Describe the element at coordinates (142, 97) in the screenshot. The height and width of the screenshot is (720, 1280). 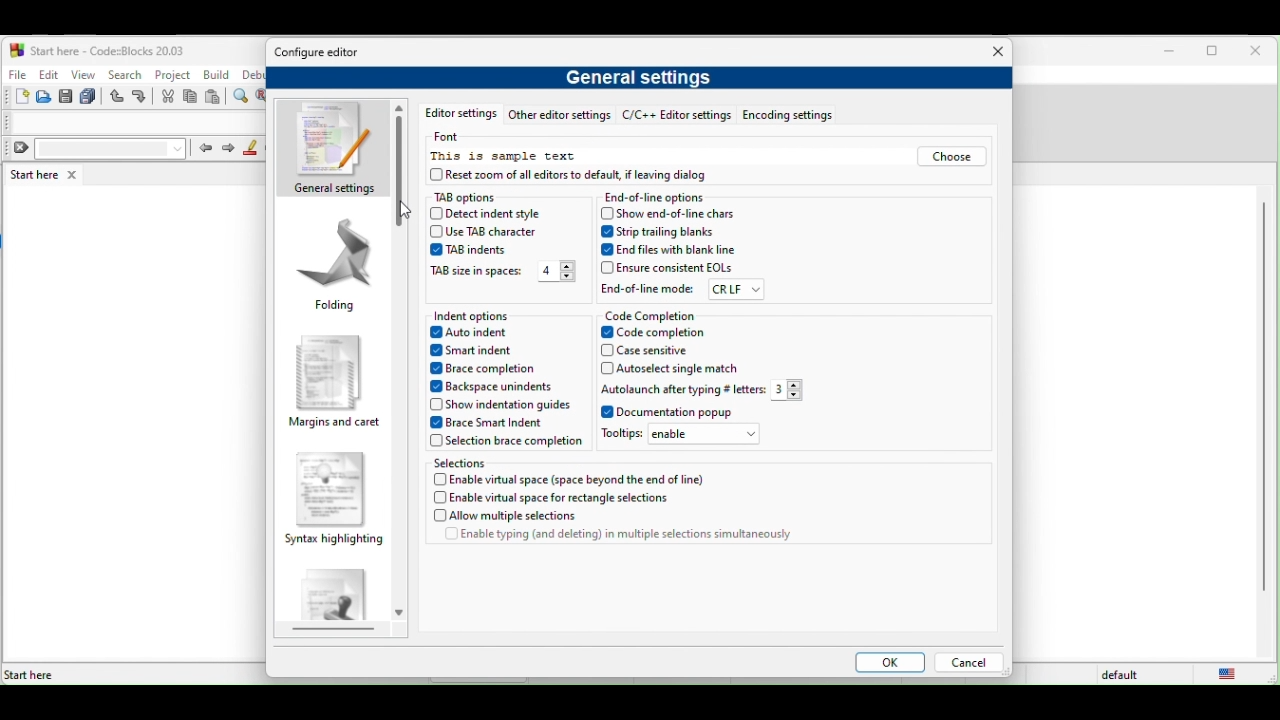
I see `redo` at that location.